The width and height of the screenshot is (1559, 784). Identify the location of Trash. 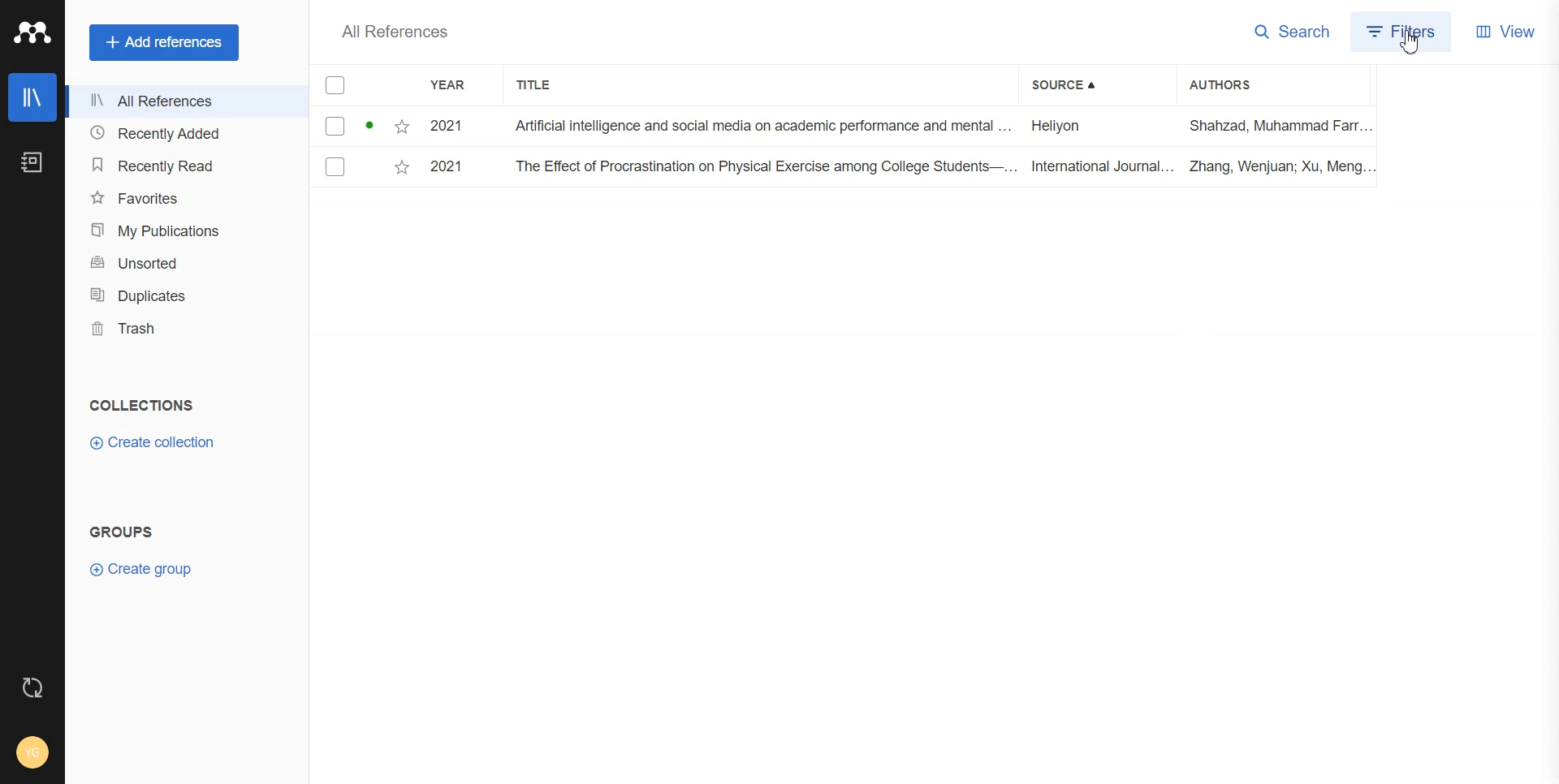
(174, 331).